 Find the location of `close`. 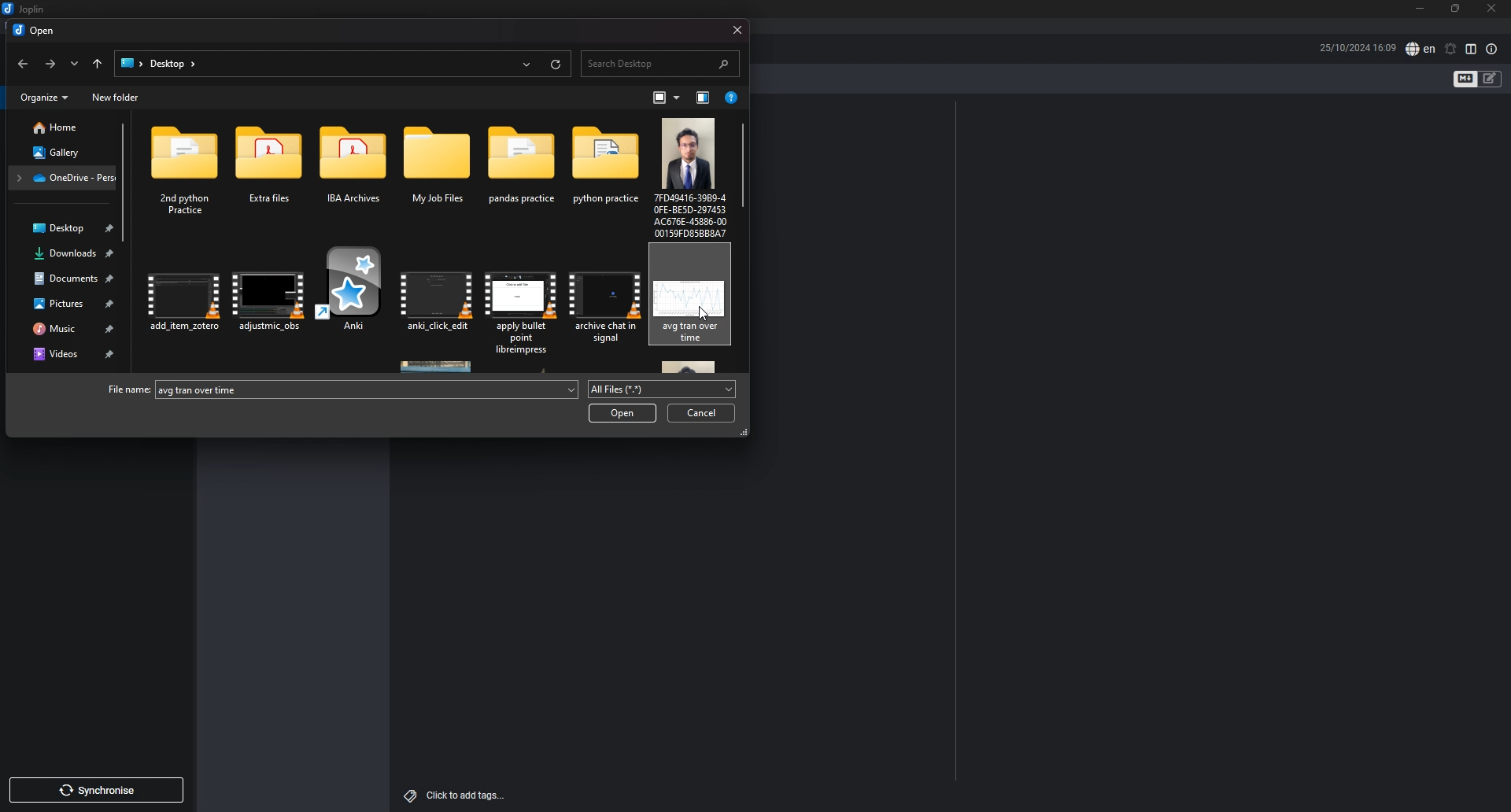

close is located at coordinates (1492, 9).